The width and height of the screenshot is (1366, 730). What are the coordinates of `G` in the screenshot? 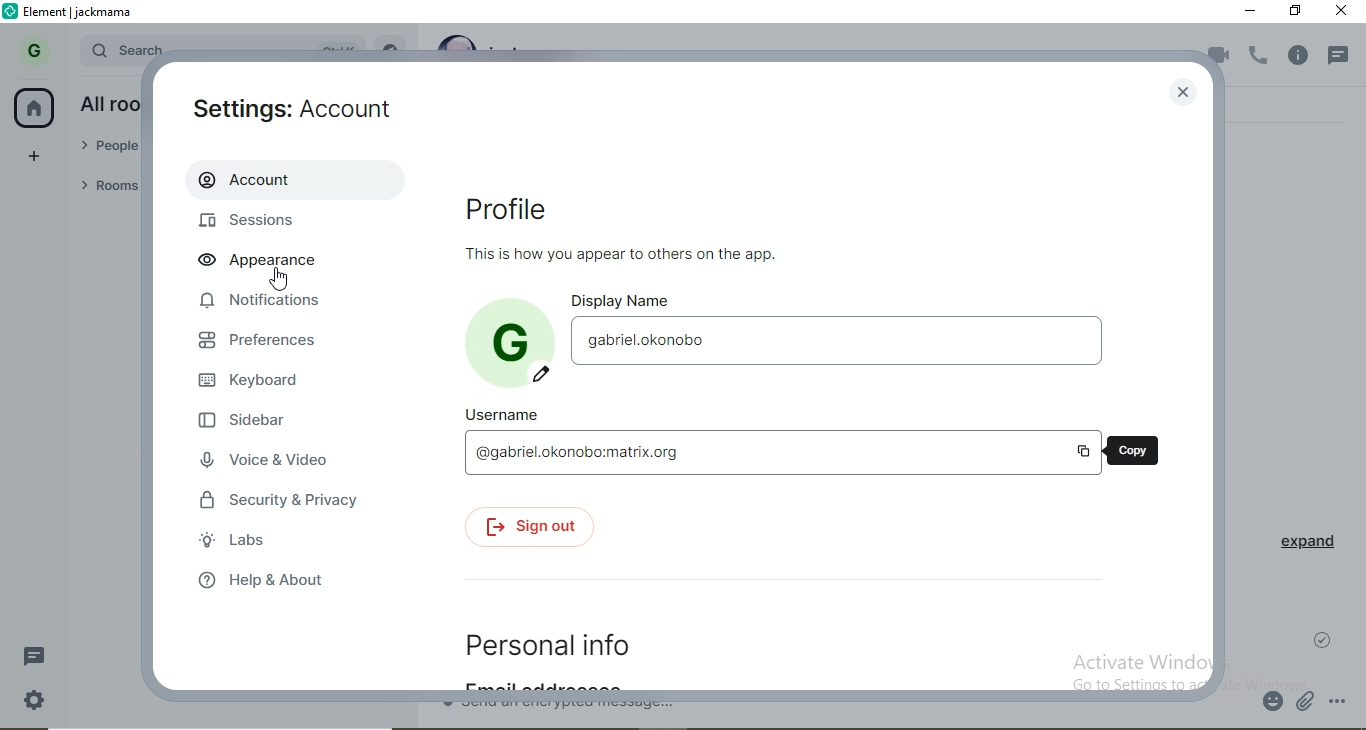 It's located at (30, 52).